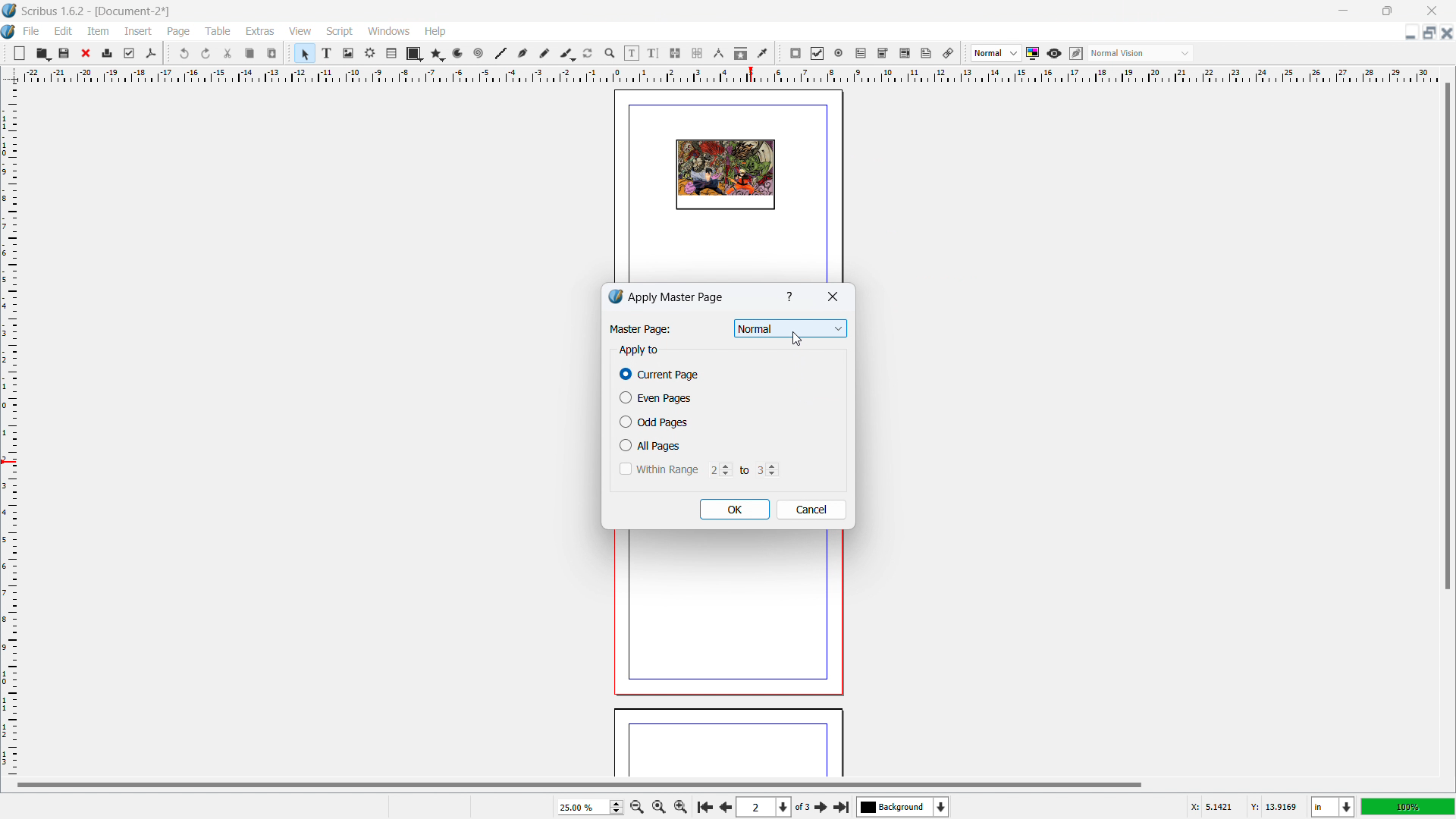 The width and height of the screenshot is (1456, 819). I want to click on link annotation, so click(949, 53).